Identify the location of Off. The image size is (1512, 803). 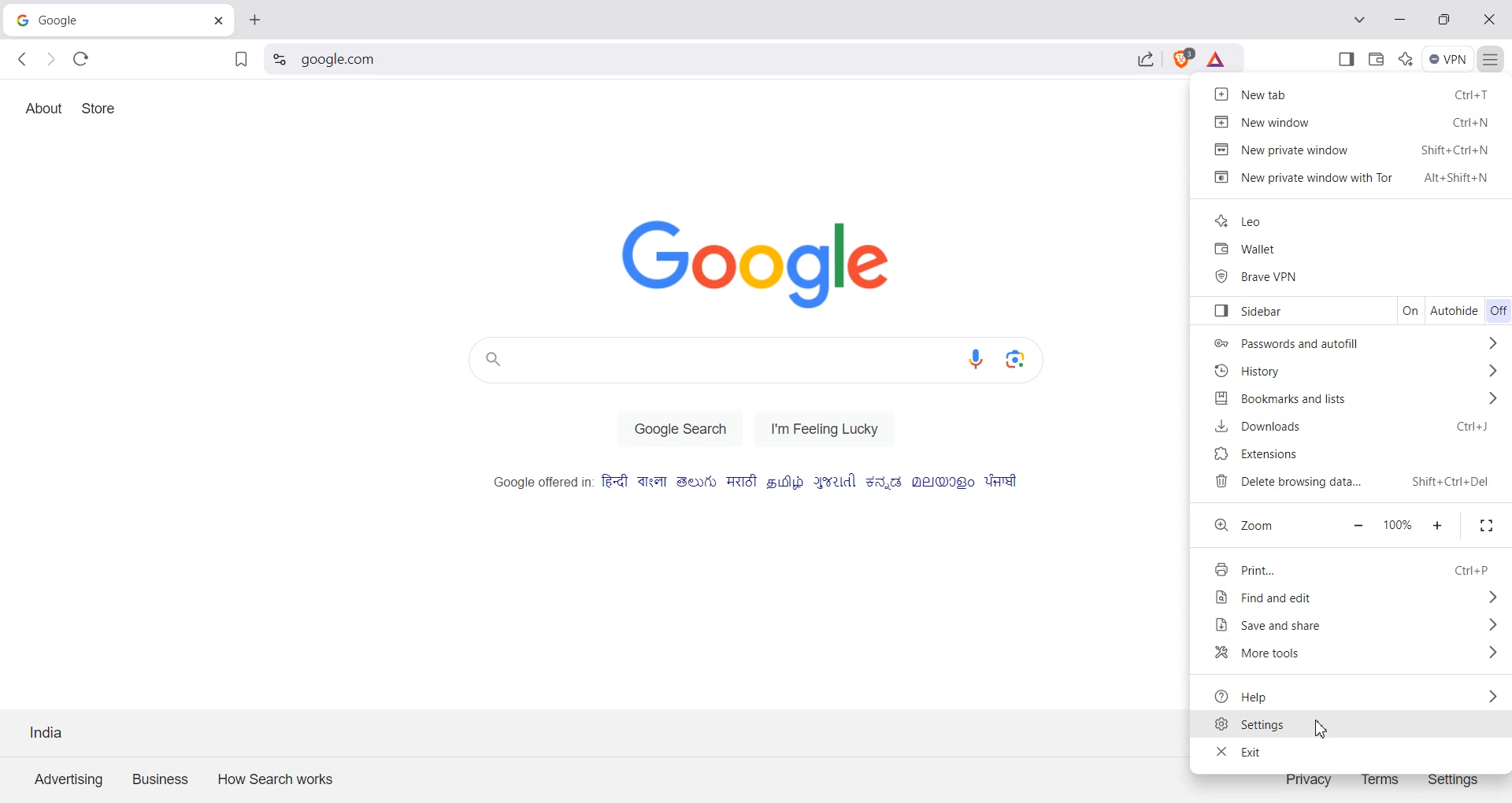
(1498, 312).